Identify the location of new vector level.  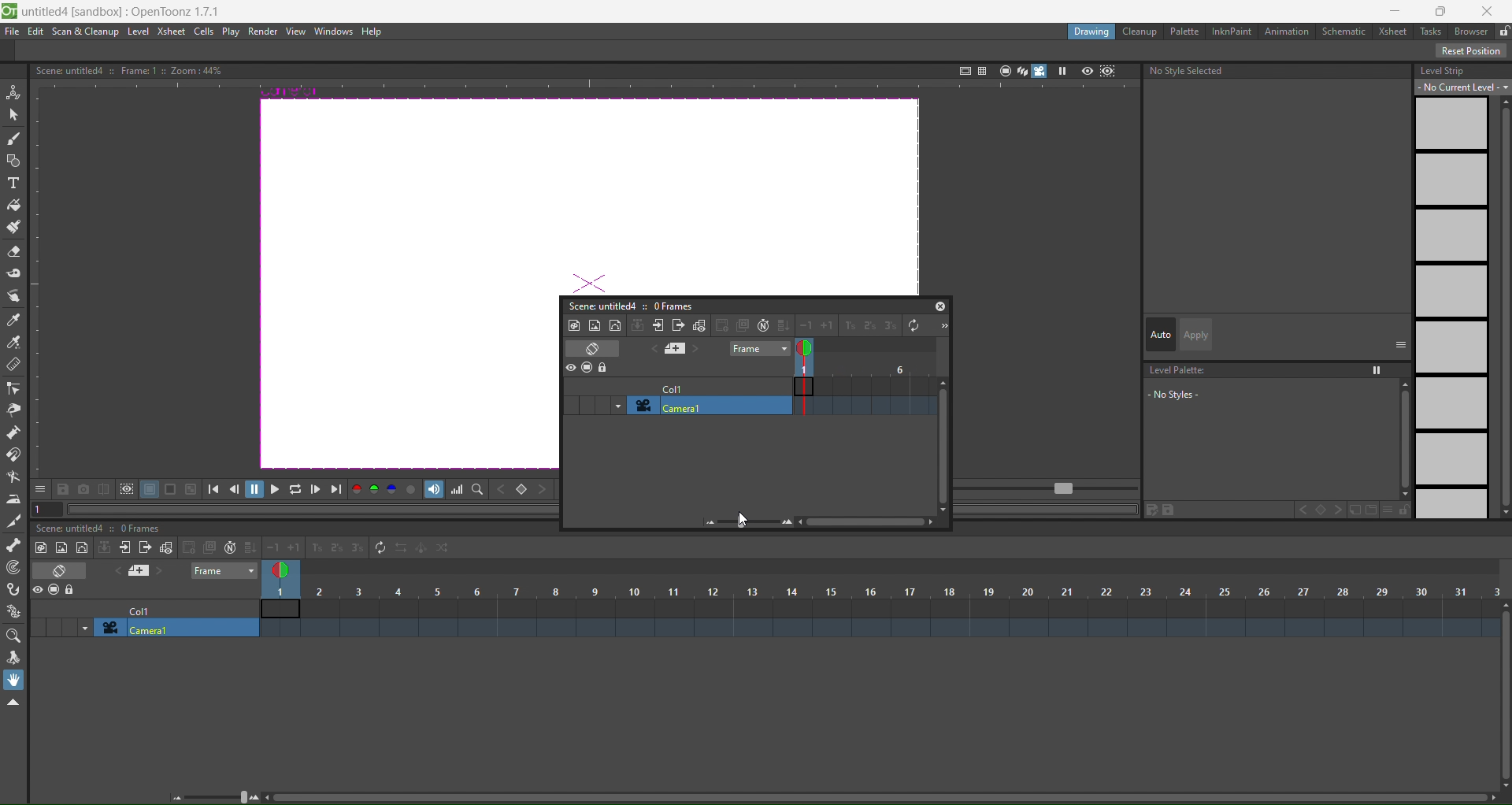
(82, 548).